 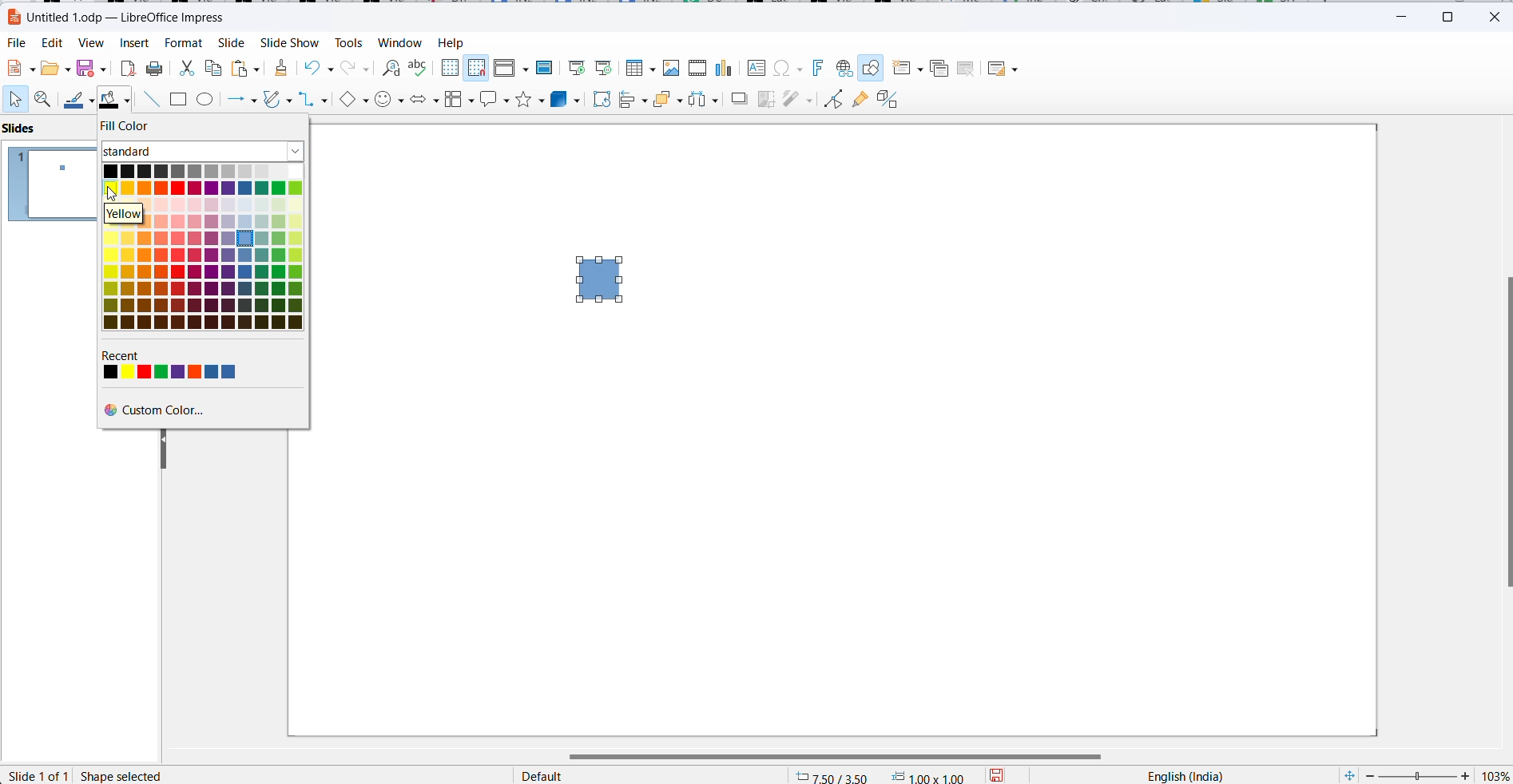 I want to click on Delete slide, so click(x=967, y=69).